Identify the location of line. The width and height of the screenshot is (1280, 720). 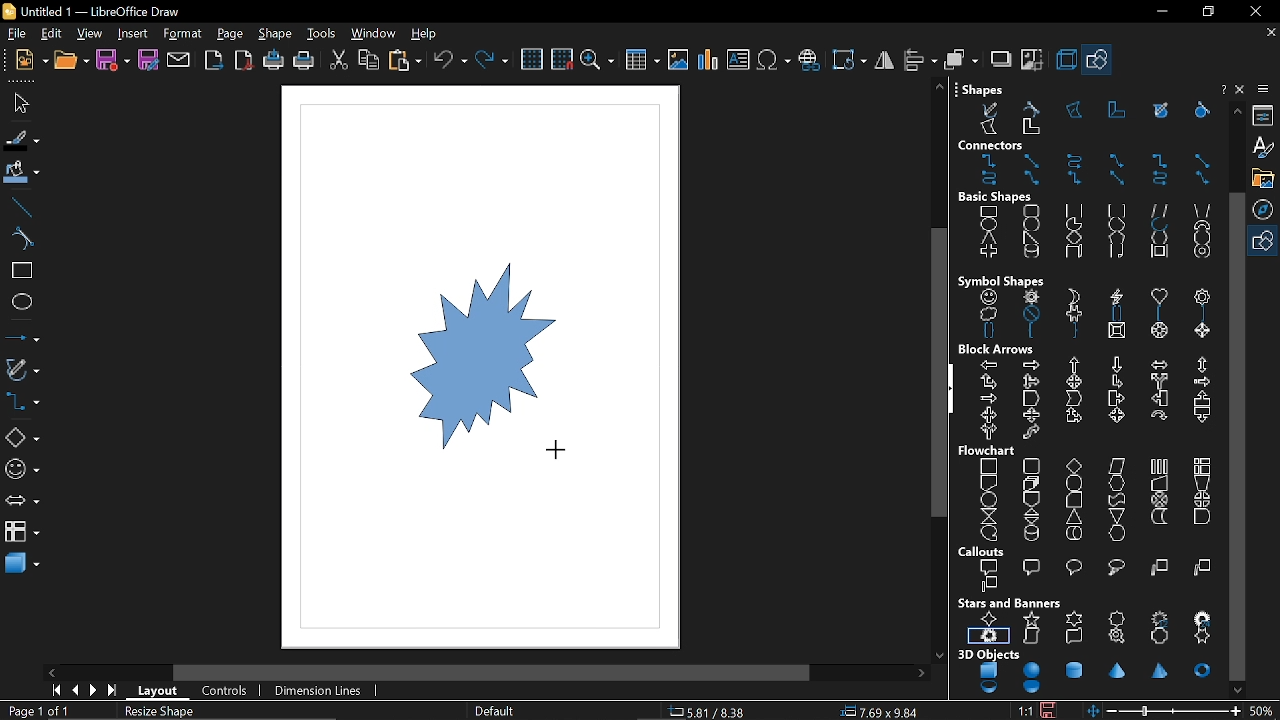
(21, 208).